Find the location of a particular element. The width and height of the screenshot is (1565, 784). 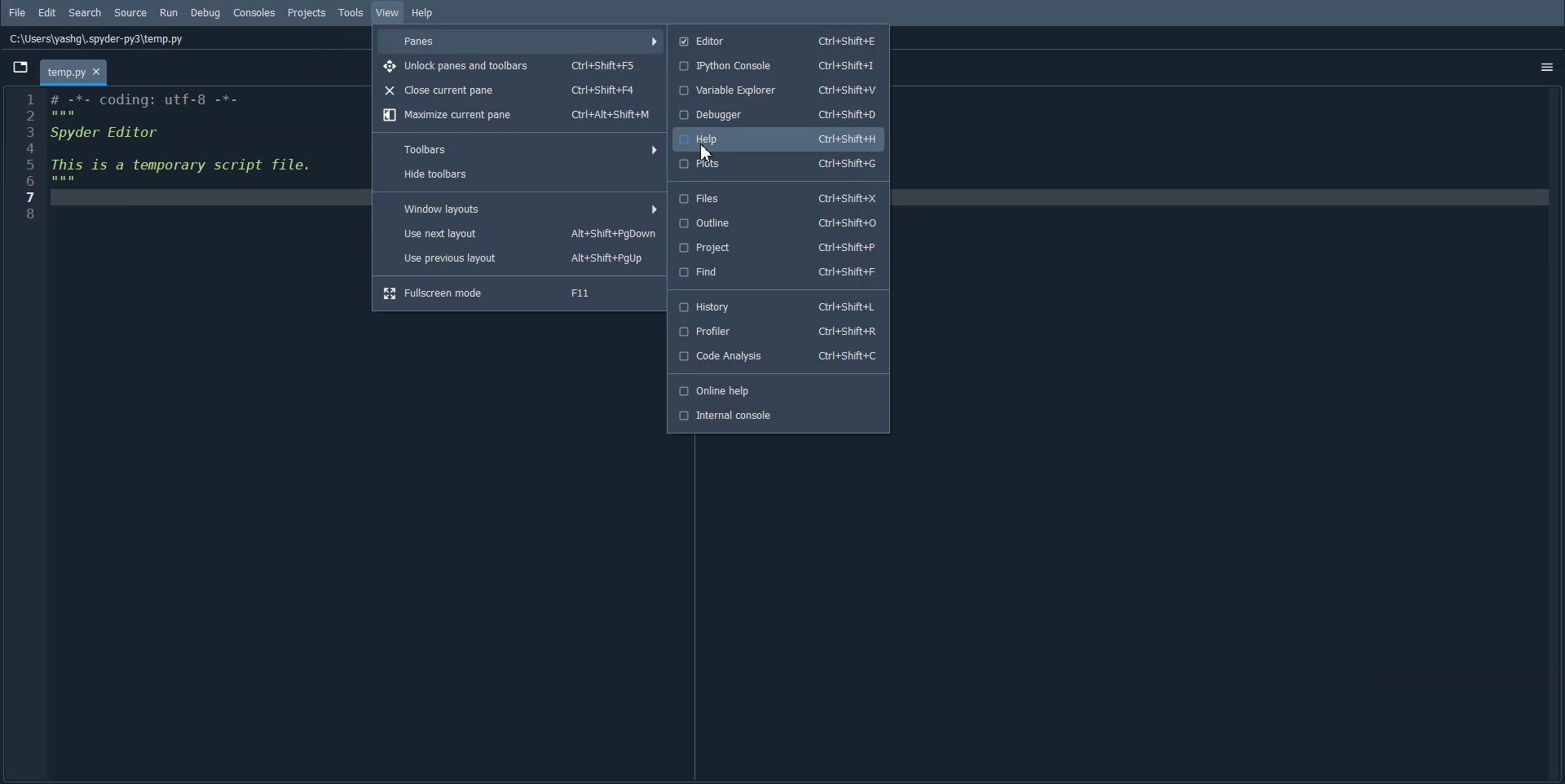

Ipython Console is located at coordinates (778, 65).